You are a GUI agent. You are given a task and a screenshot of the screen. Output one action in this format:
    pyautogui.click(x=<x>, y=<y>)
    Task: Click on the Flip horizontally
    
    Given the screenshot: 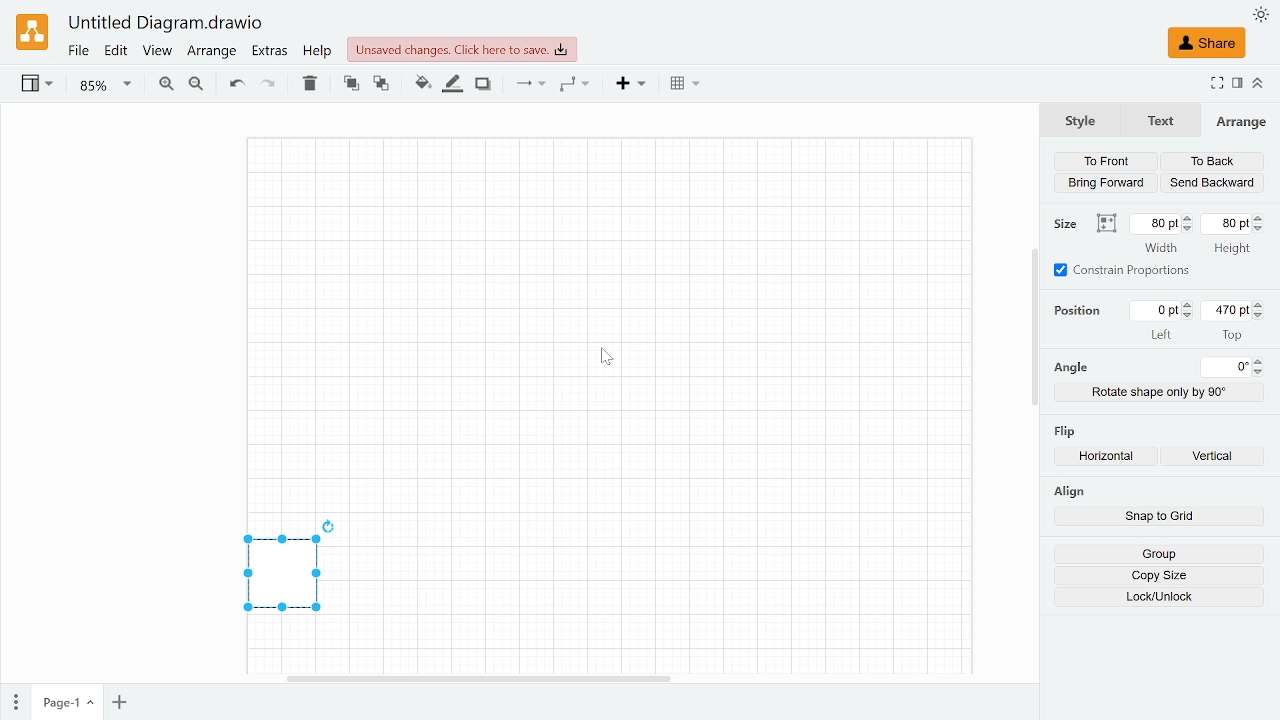 What is the action you would take?
    pyautogui.click(x=1111, y=458)
    